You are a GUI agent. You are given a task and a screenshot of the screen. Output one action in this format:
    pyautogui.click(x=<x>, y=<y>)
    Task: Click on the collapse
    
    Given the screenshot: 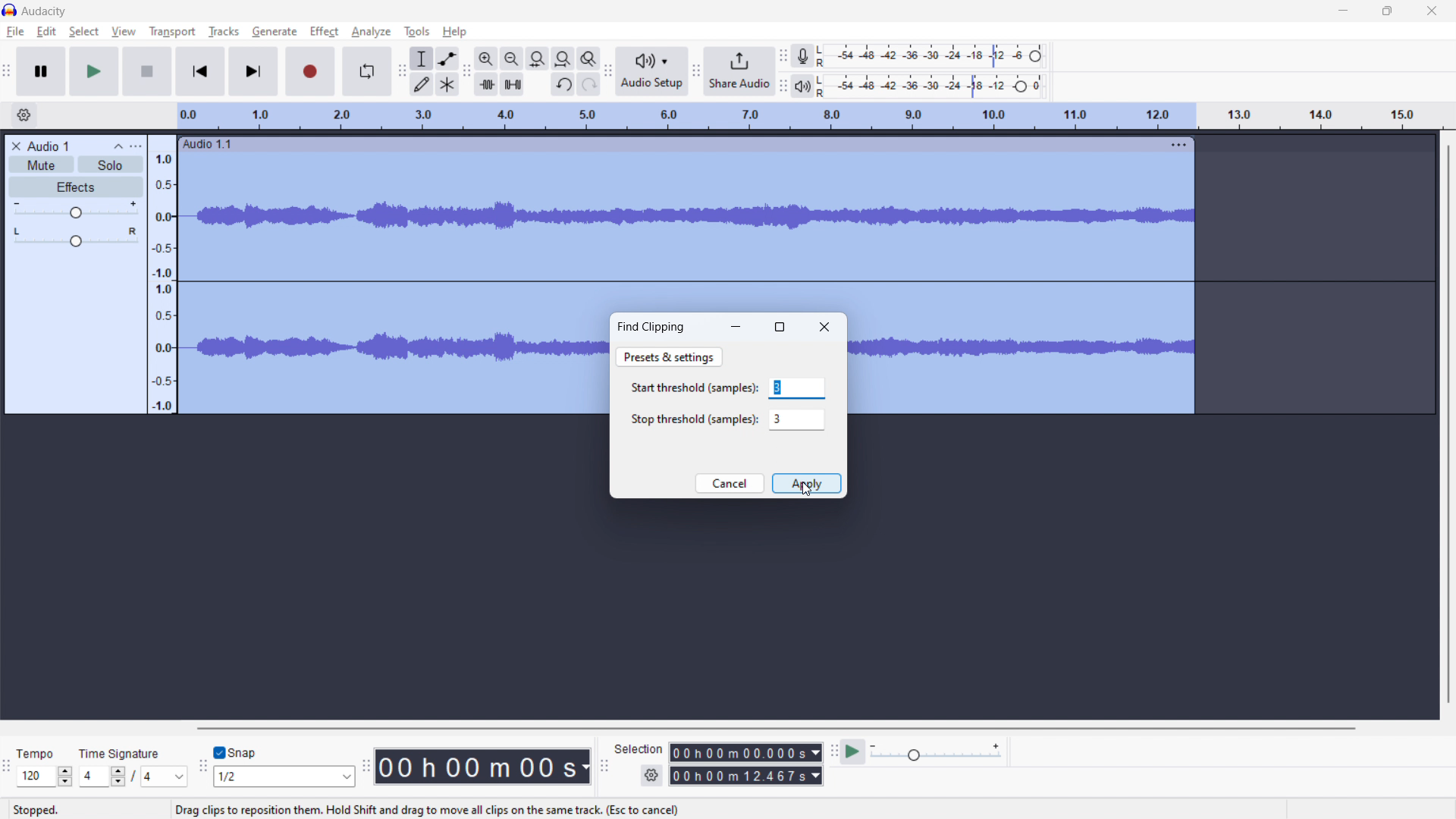 What is the action you would take?
    pyautogui.click(x=116, y=146)
    